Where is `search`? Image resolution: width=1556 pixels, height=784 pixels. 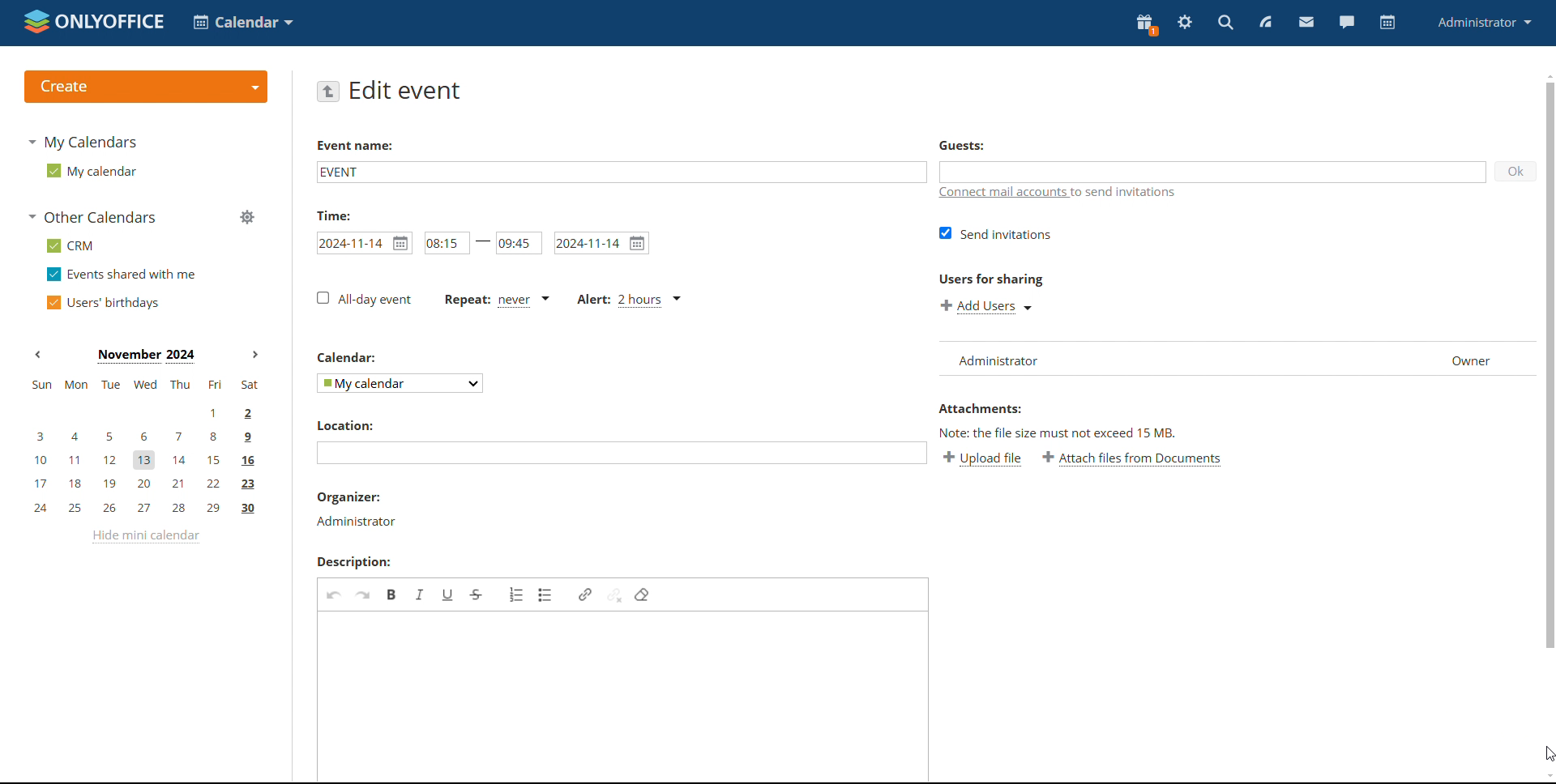
search is located at coordinates (1228, 23).